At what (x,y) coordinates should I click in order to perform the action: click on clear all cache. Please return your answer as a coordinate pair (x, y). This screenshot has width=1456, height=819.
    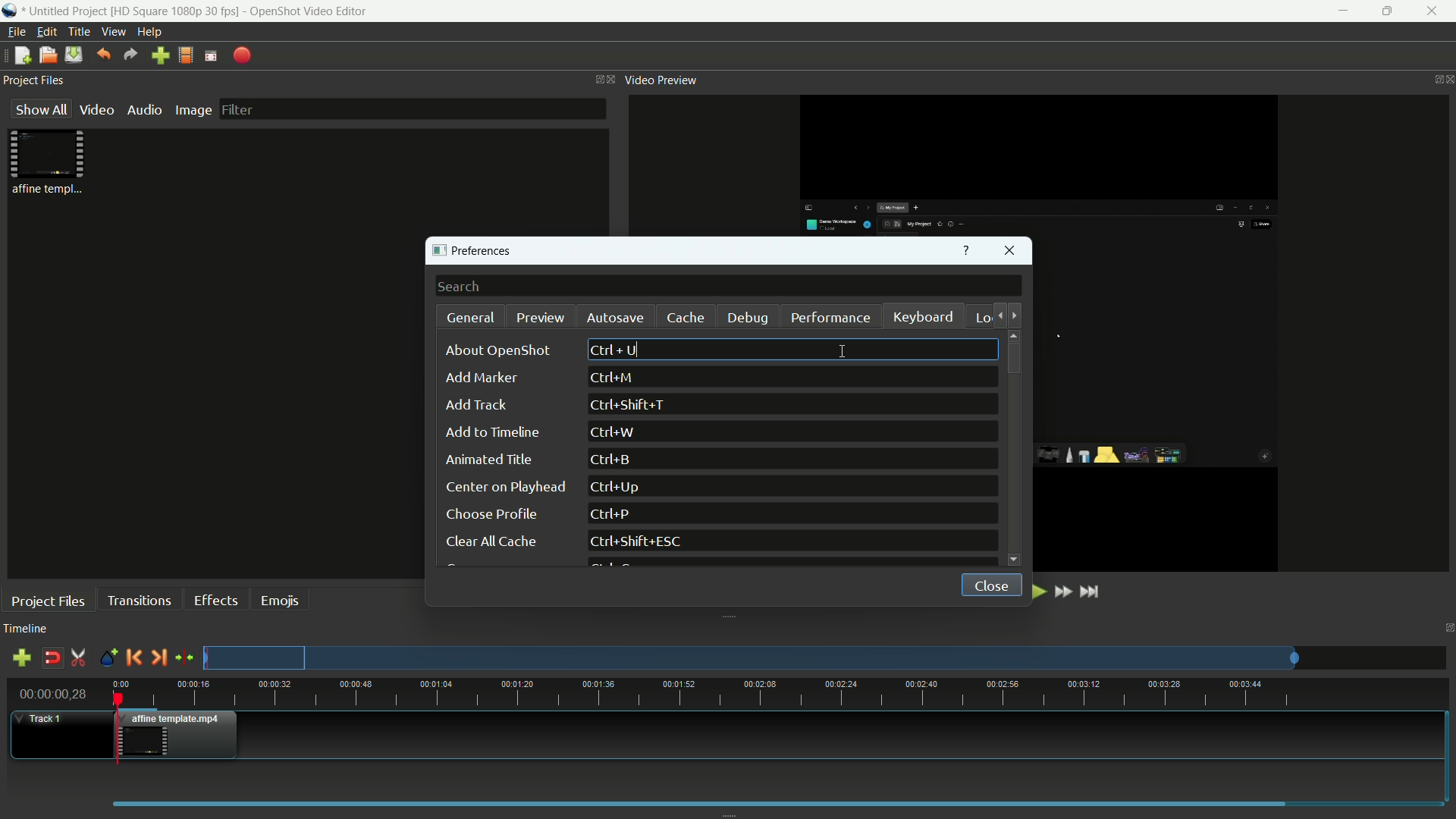
    Looking at the image, I should click on (489, 543).